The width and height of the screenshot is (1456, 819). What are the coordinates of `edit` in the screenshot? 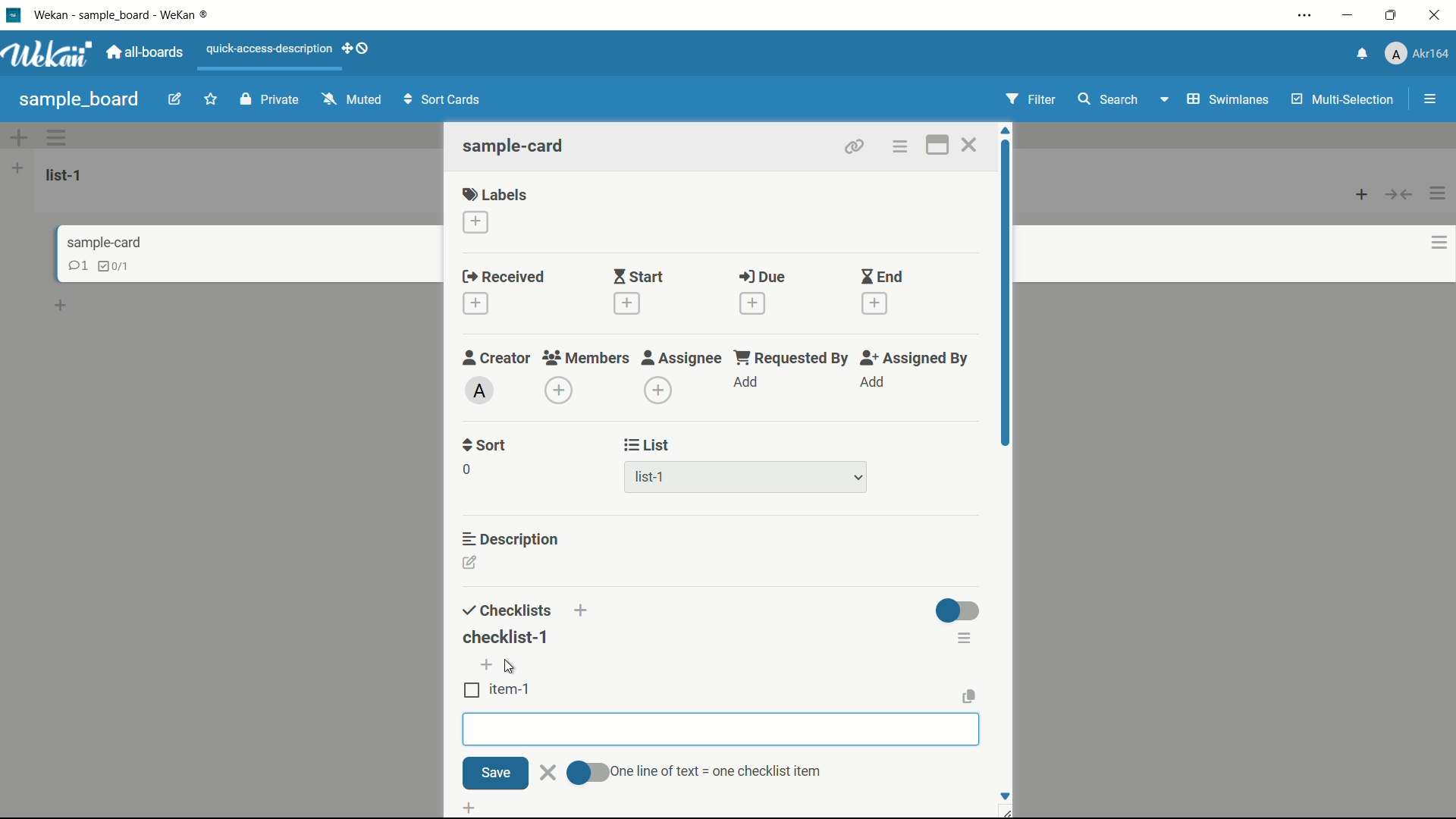 It's located at (165, 99).